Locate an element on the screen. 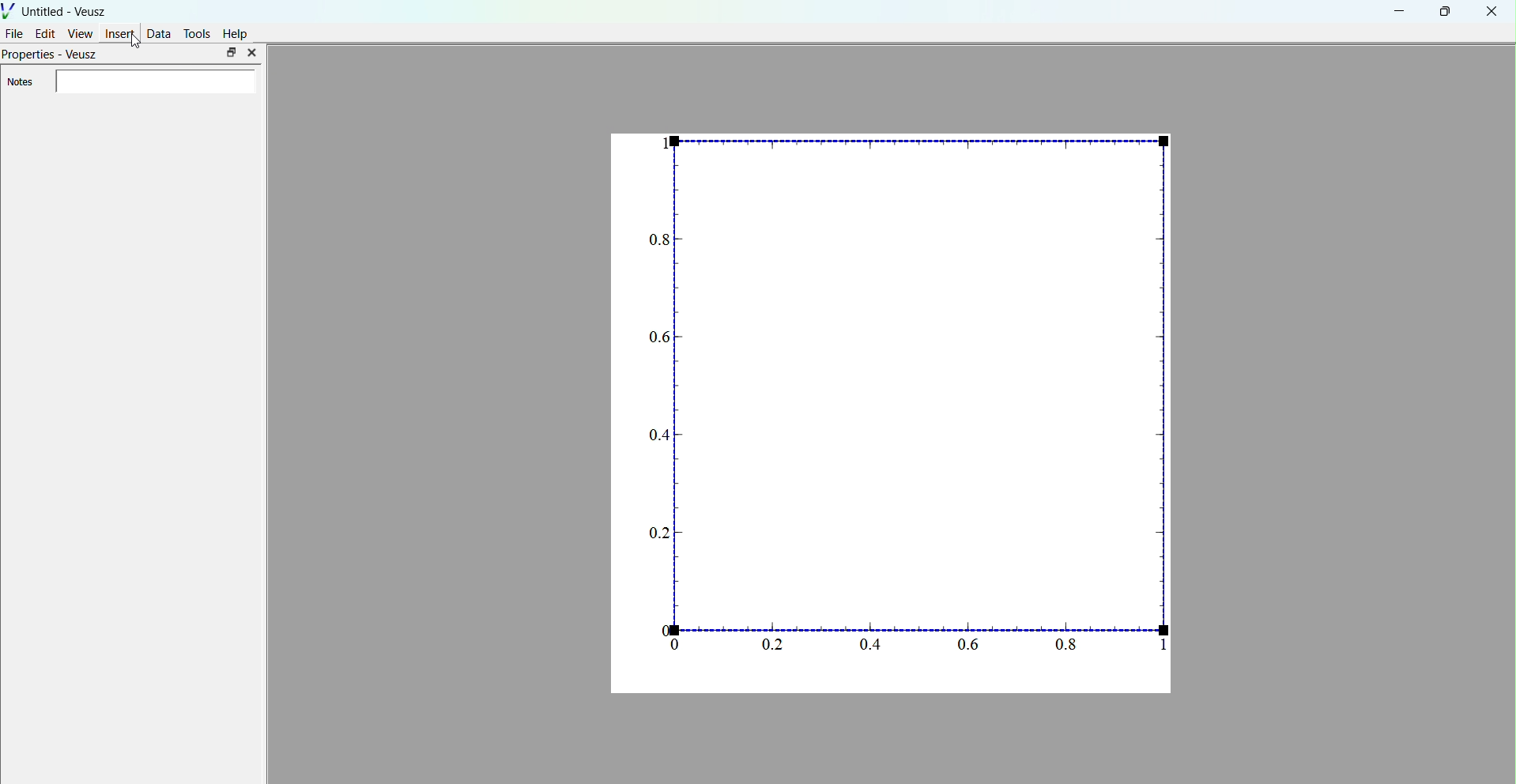 The width and height of the screenshot is (1516, 784). close is located at coordinates (251, 53).